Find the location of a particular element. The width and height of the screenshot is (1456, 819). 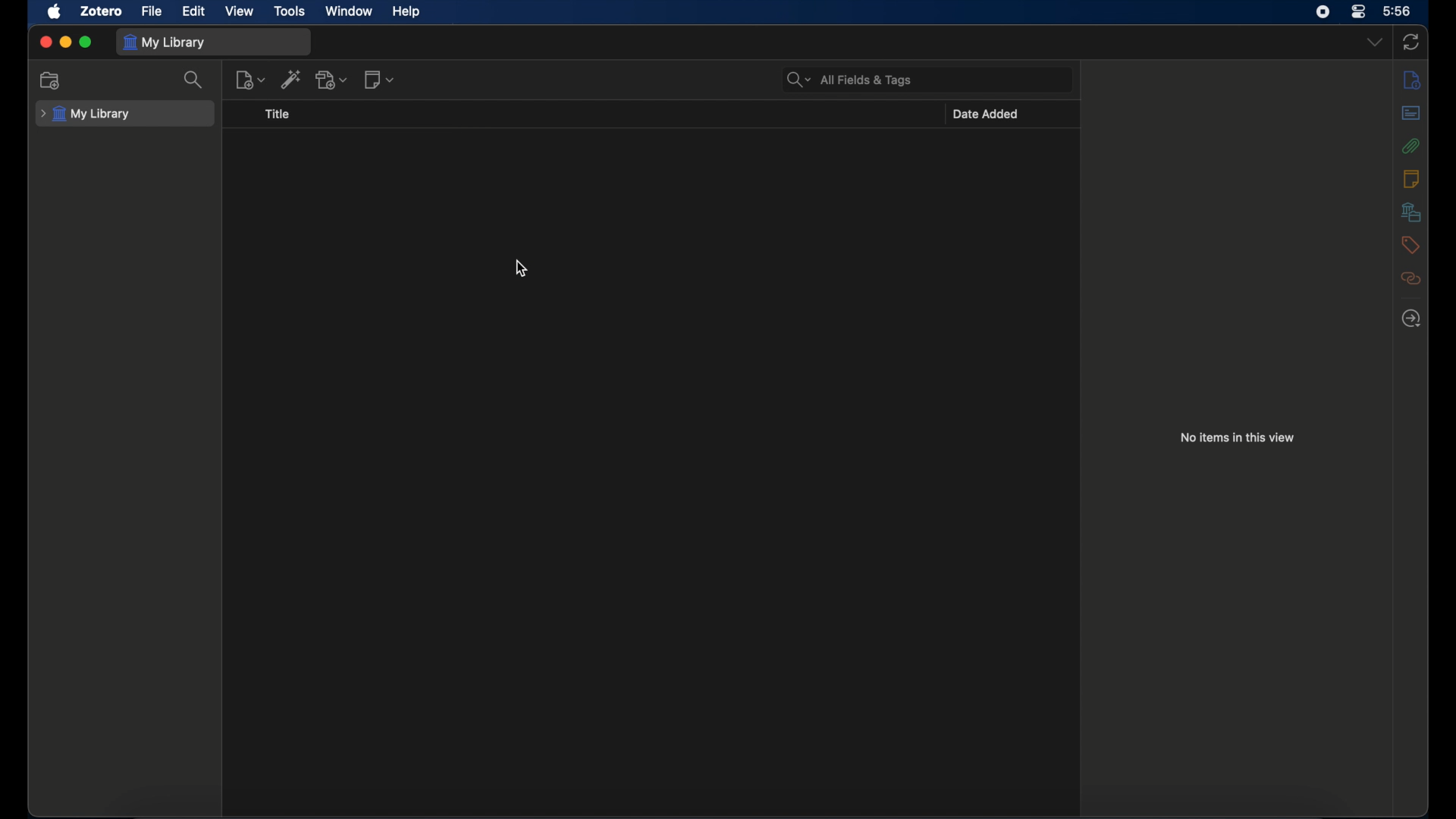

notes is located at coordinates (1410, 178).